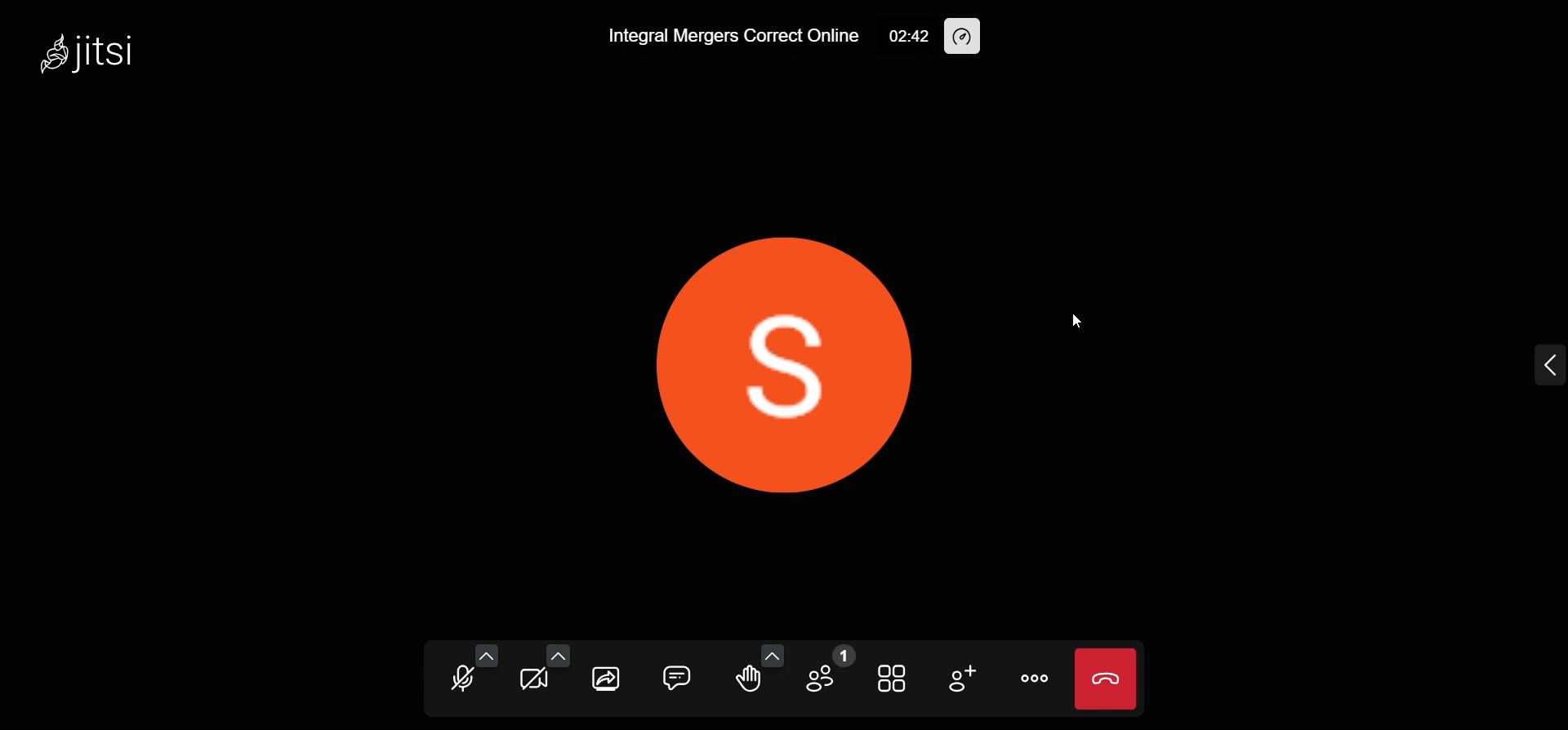 The height and width of the screenshot is (730, 1568). Describe the element at coordinates (114, 60) in the screenshot. I see `jitsi` at that location.